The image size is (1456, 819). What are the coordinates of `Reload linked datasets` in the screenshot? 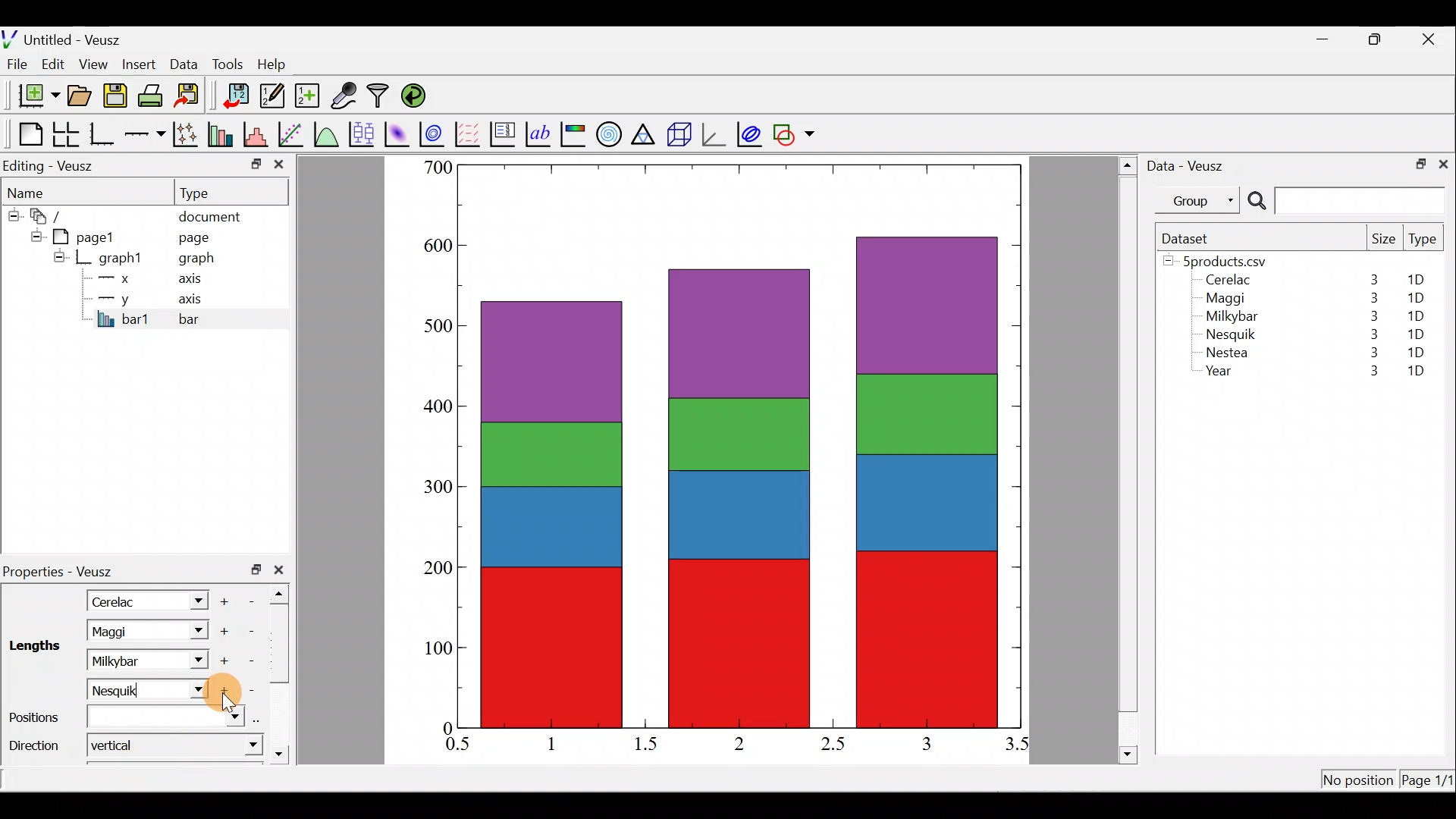 It's located at (417, 95).